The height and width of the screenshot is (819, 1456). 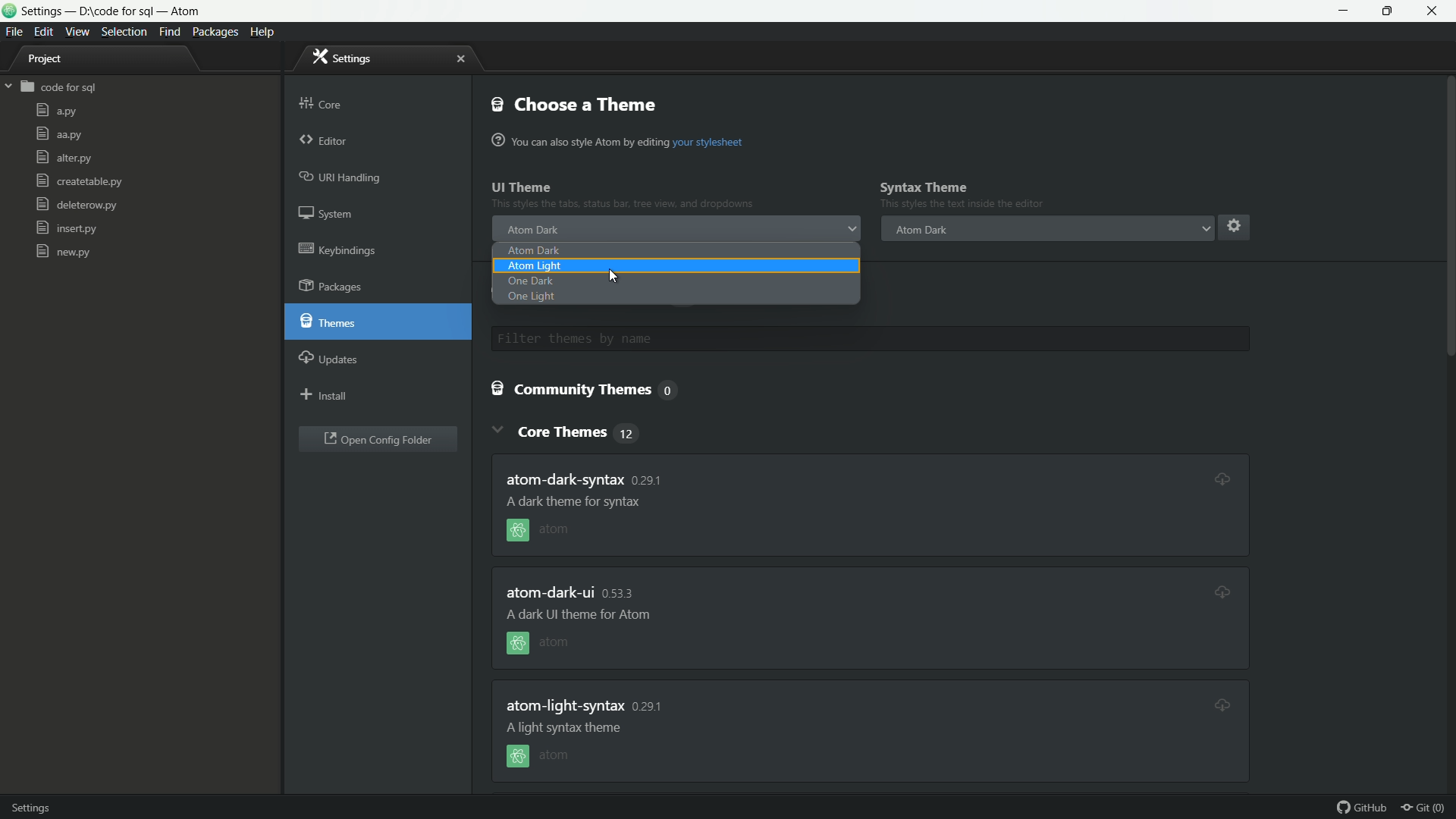 I want to click on packages, so click(x=334, y=287).